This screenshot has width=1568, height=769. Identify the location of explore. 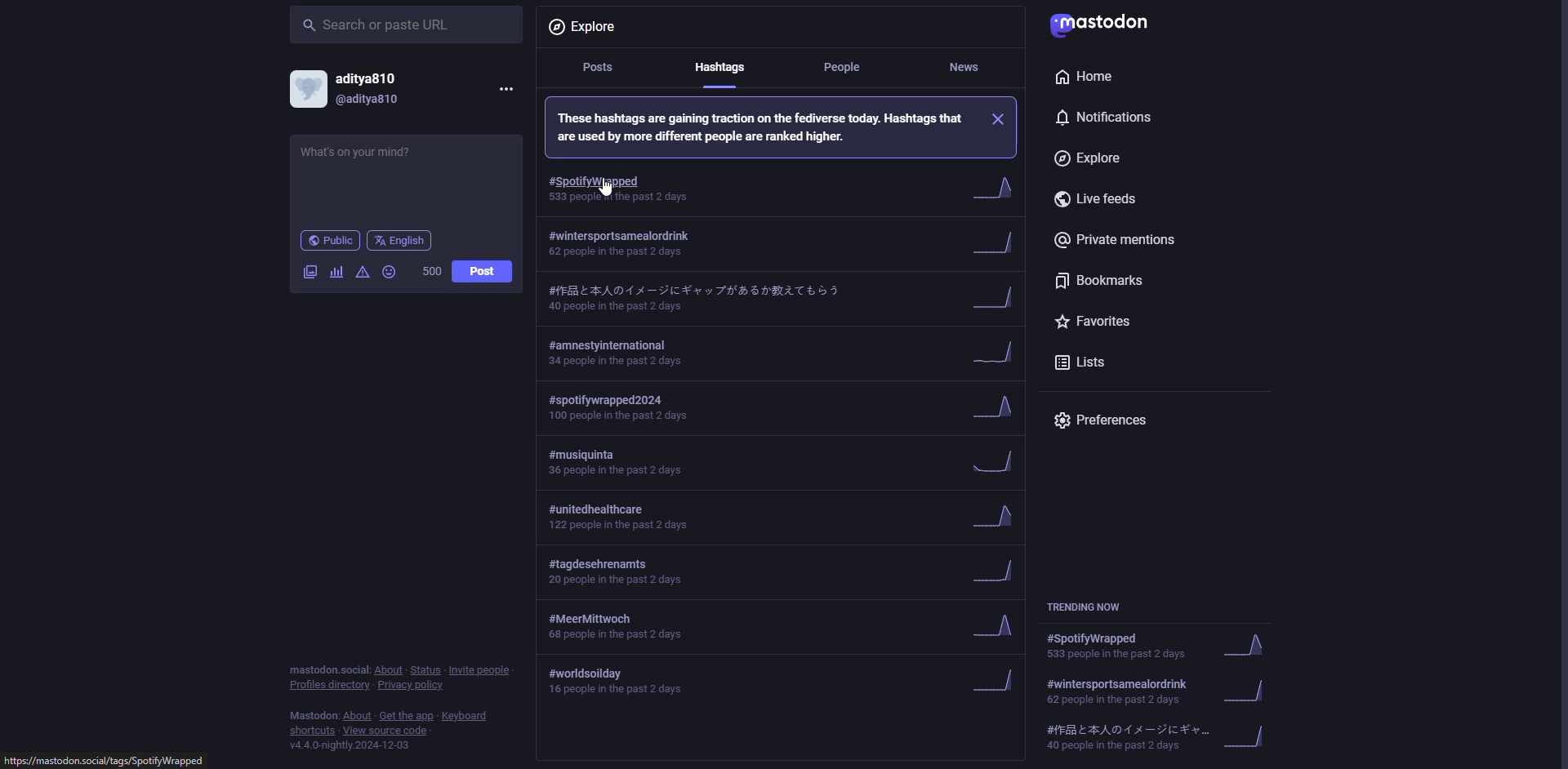
(585, 28).